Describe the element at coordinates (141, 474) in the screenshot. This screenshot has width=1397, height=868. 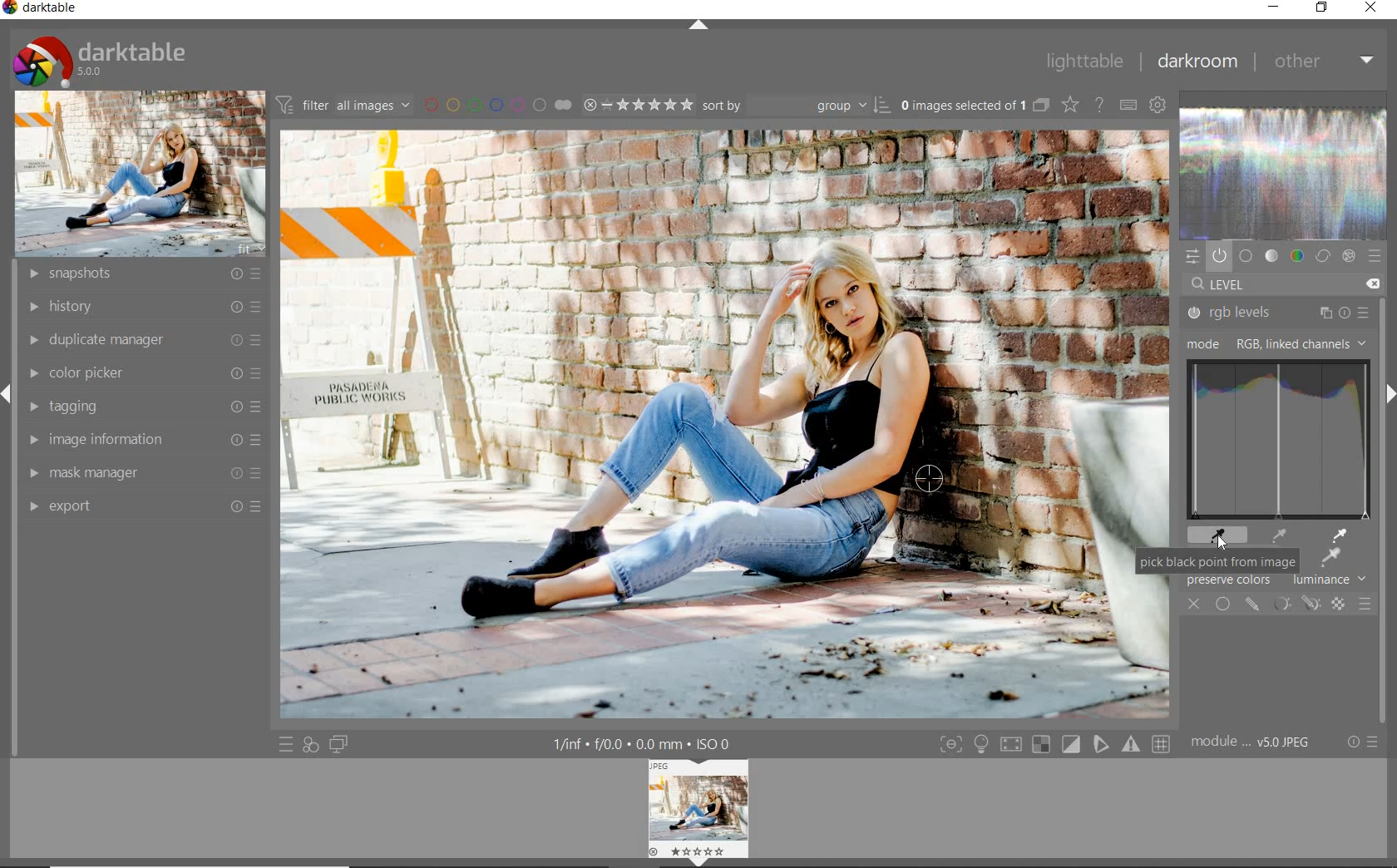
I see `mask manager` at that location.